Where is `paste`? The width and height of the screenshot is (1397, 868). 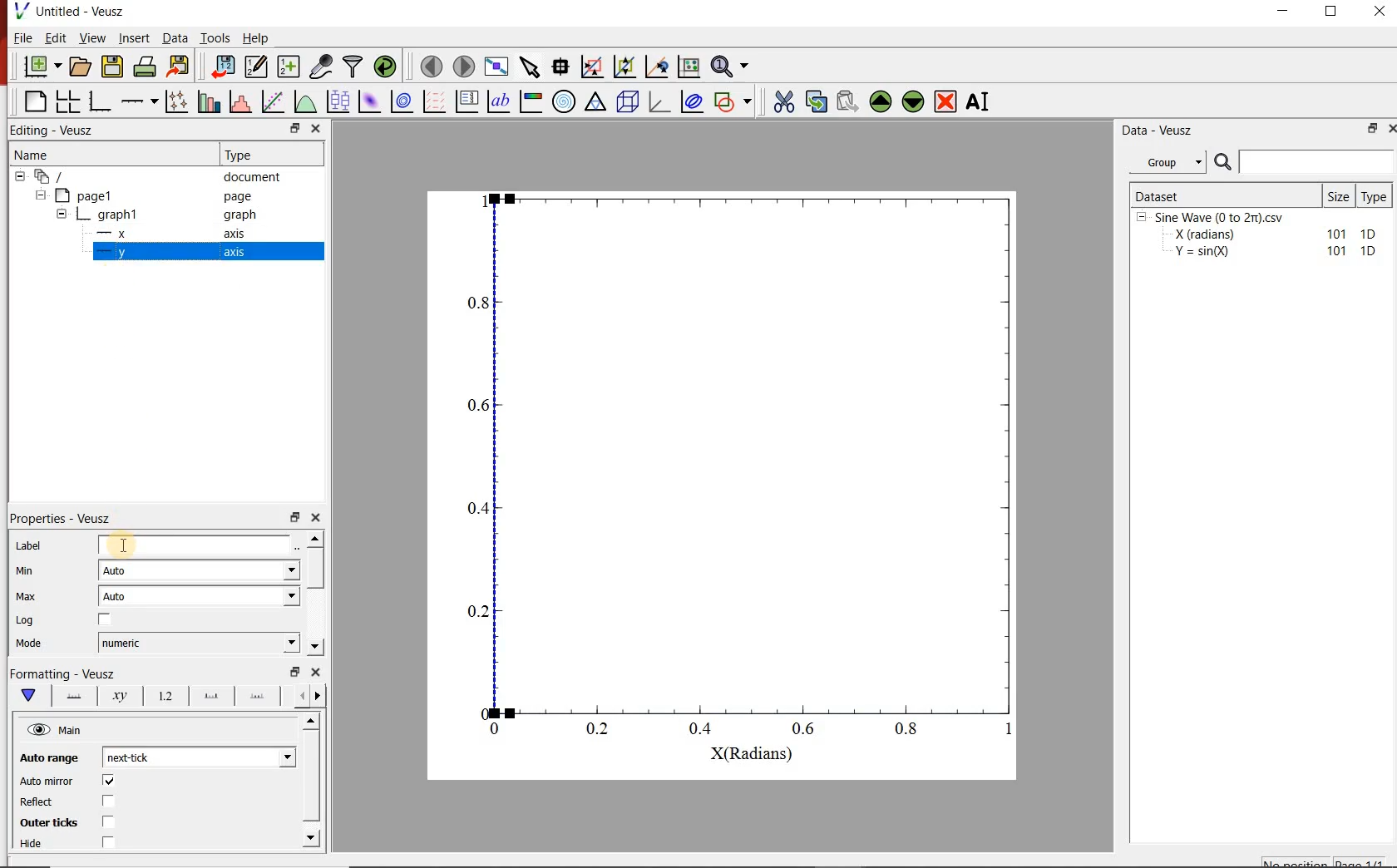
paste is located at coordinates (847, 101).